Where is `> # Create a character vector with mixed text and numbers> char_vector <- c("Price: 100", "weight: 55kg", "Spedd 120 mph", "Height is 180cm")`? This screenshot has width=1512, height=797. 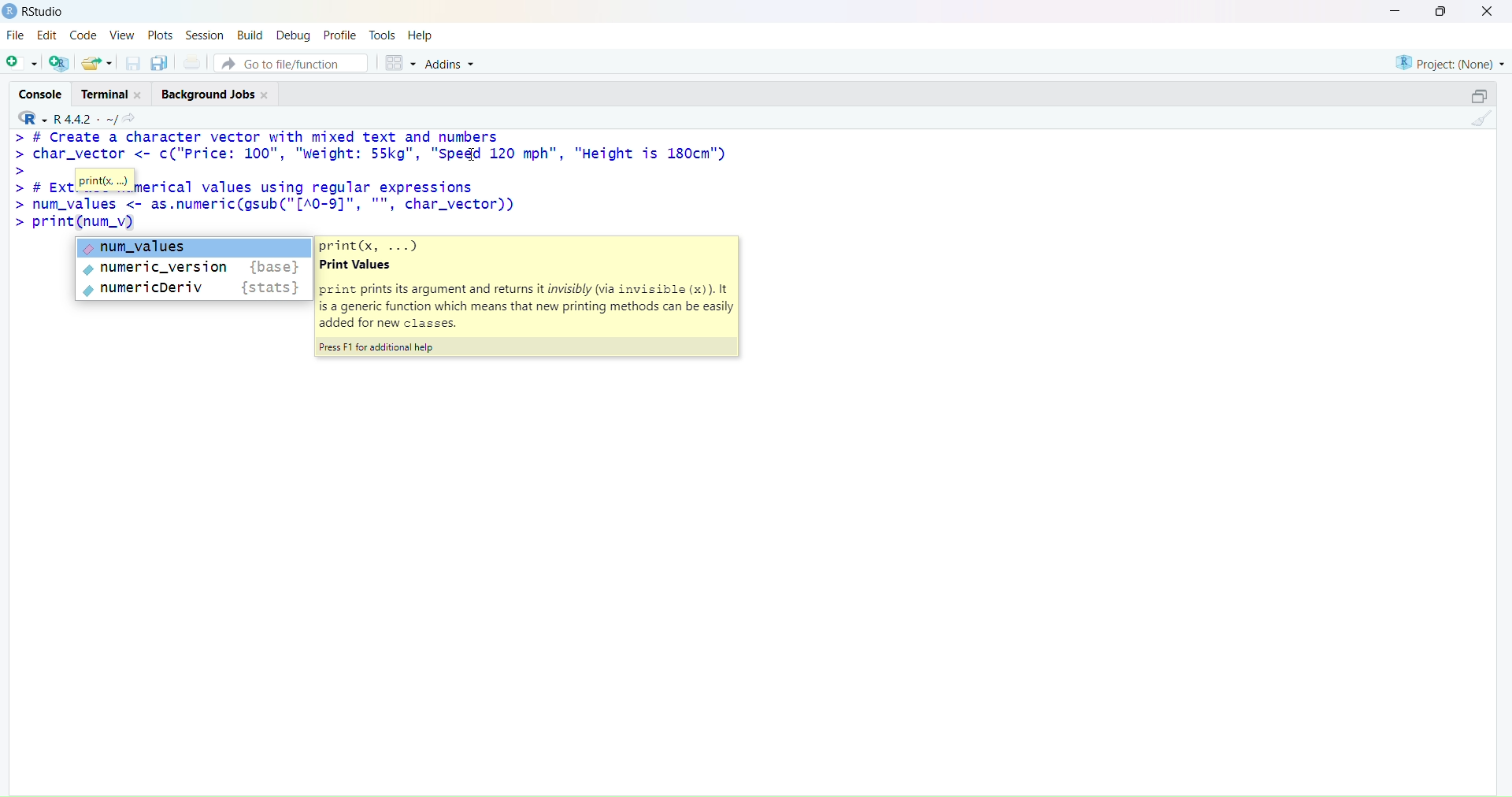 > # Create a character vector with mixed text and numbers> char_vector <- c("Price: 100", "weight: 55kg", "Spedd 120 mph", "Height is 180cm") is located at coordinates (370, 145).